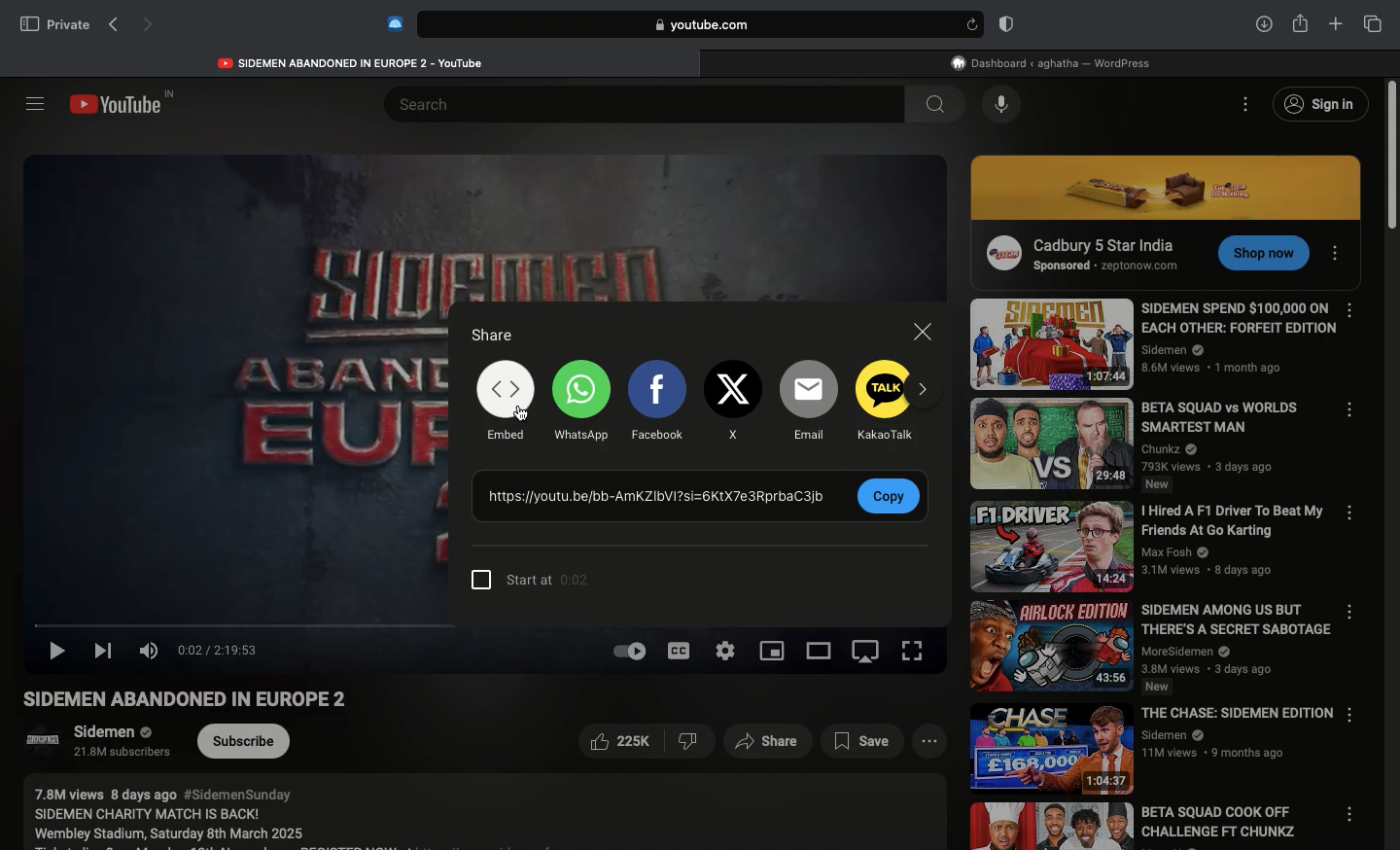 The image size is (1400, 850). I want to click on Theatre, so click(821, 652).